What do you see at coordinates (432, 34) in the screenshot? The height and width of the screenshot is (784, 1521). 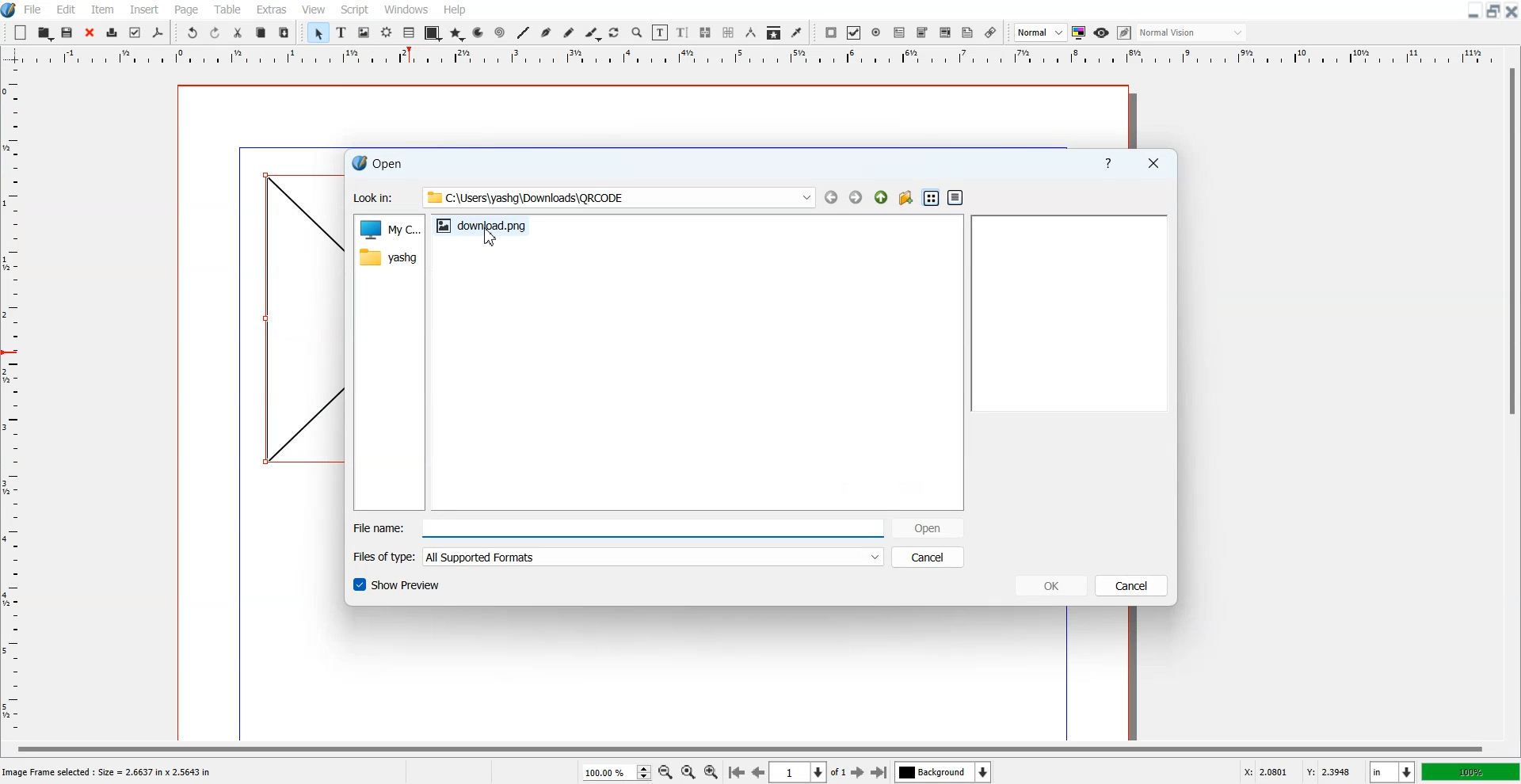 I see `Shape` at bounding box center [432, 34].